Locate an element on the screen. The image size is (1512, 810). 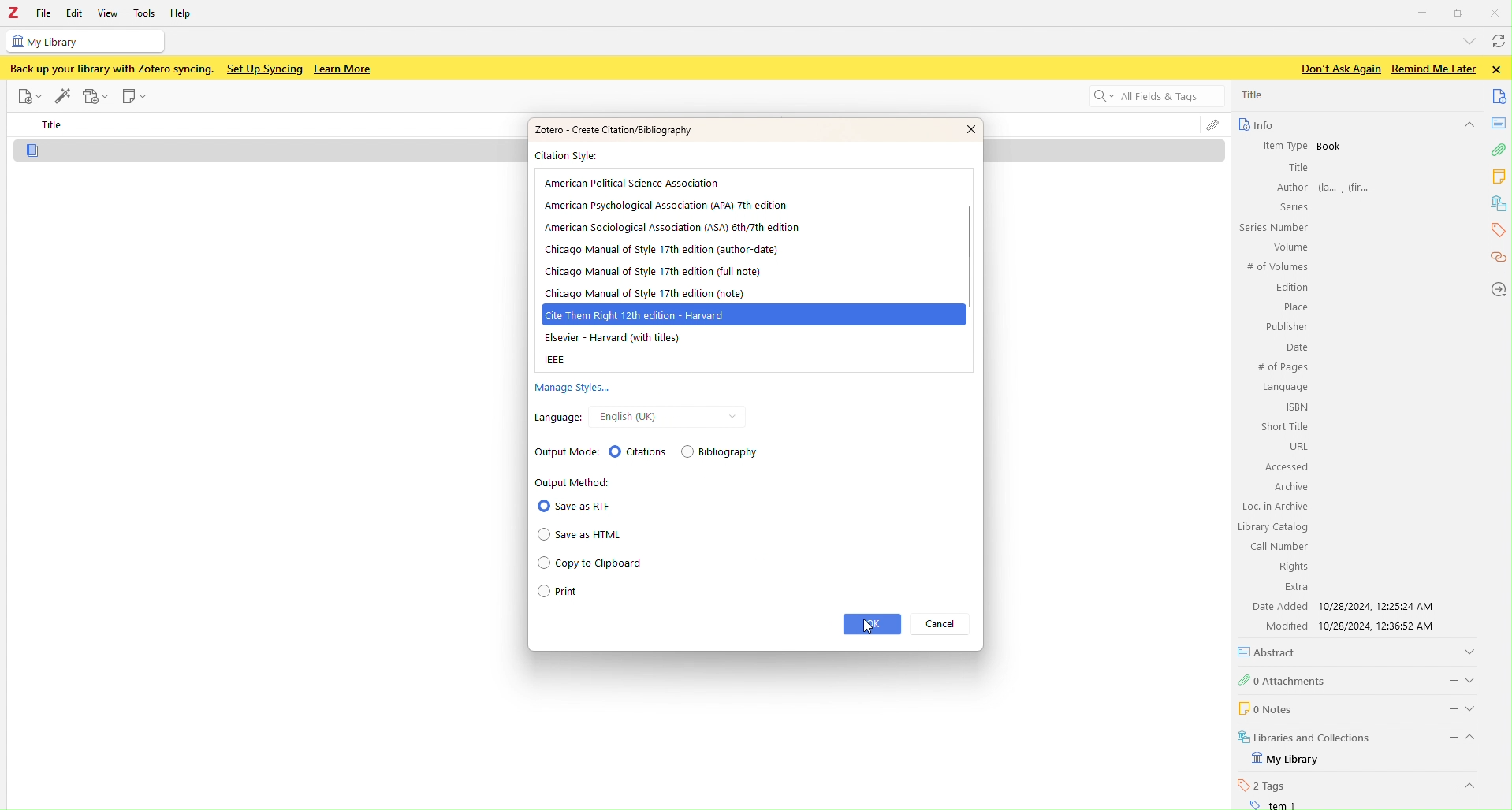
citations is located at coordinates (1497, 258).